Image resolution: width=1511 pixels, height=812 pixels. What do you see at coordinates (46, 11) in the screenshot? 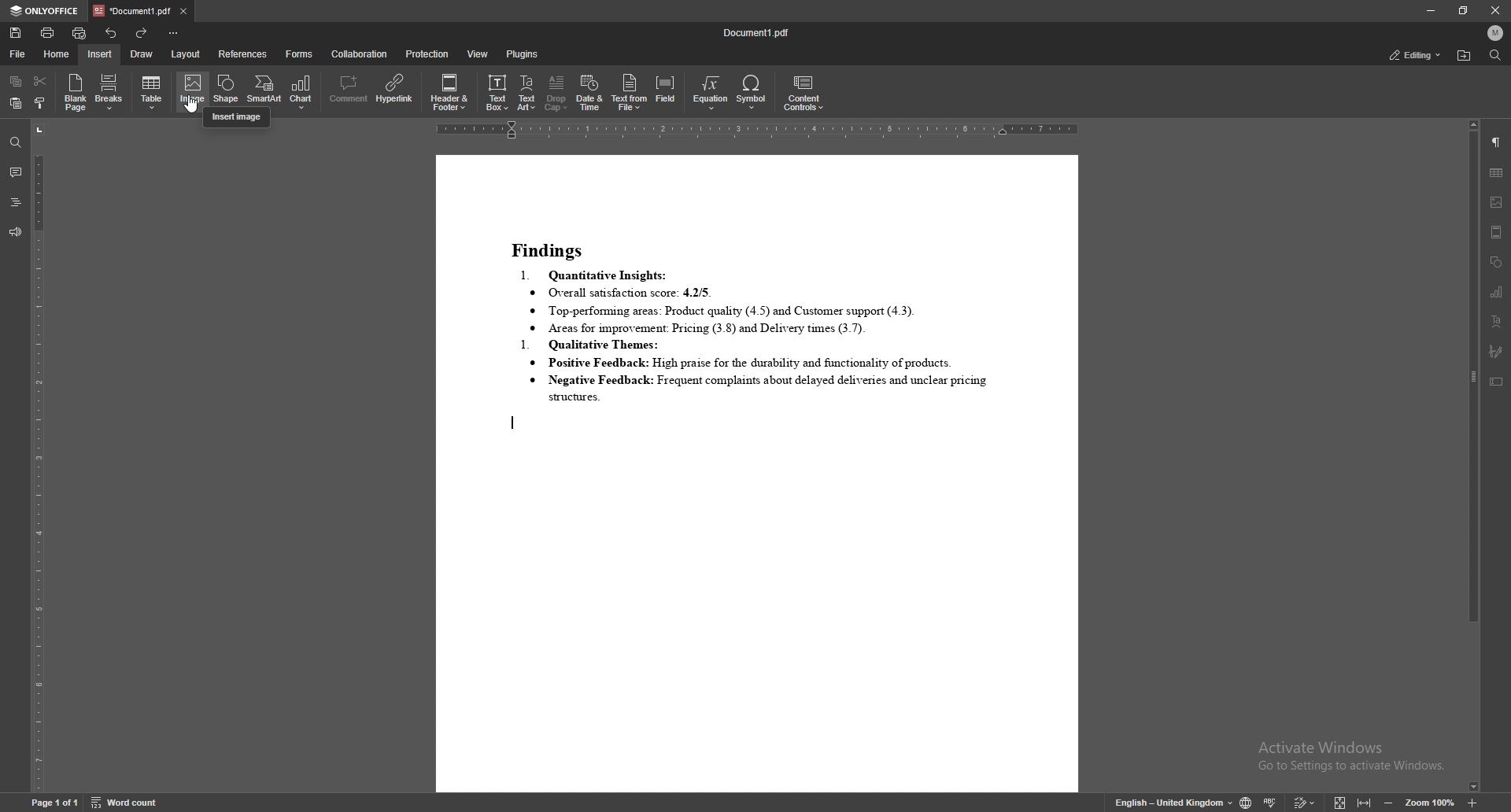
I see `onlyoffice` at bounding box center [46, 11].